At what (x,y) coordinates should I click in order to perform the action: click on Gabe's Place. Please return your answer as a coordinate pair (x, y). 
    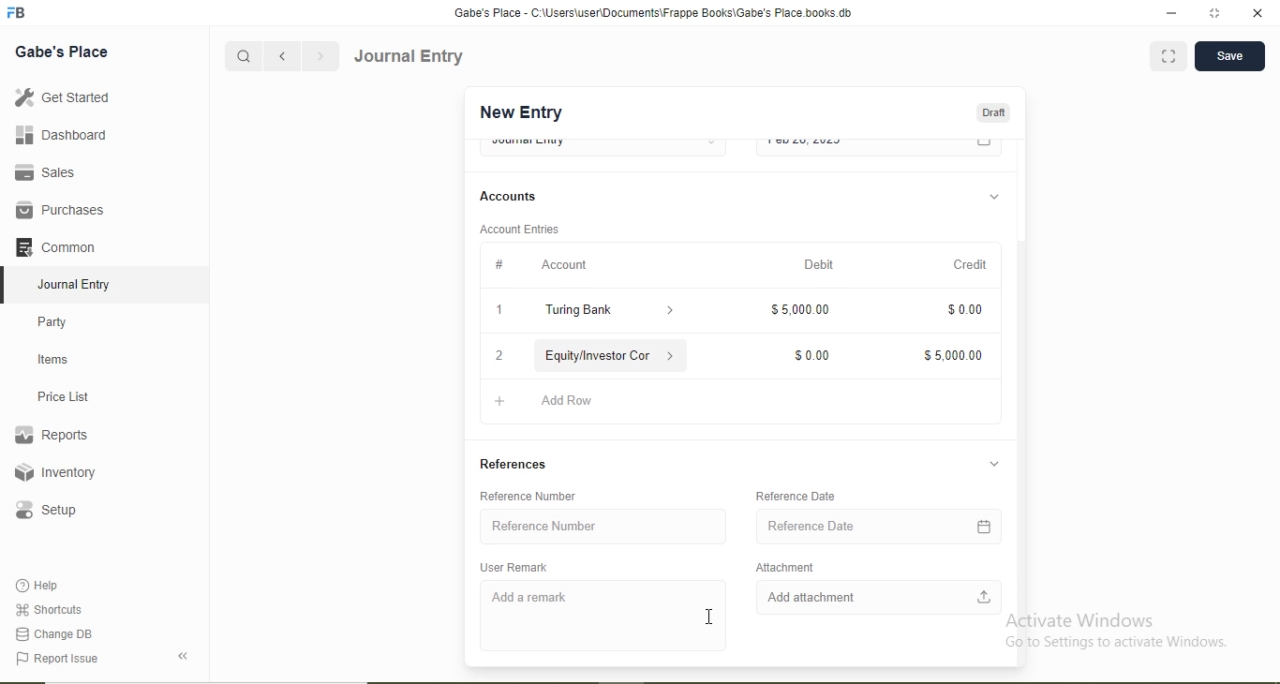
    Looking at the image, I should click on (62, 52).